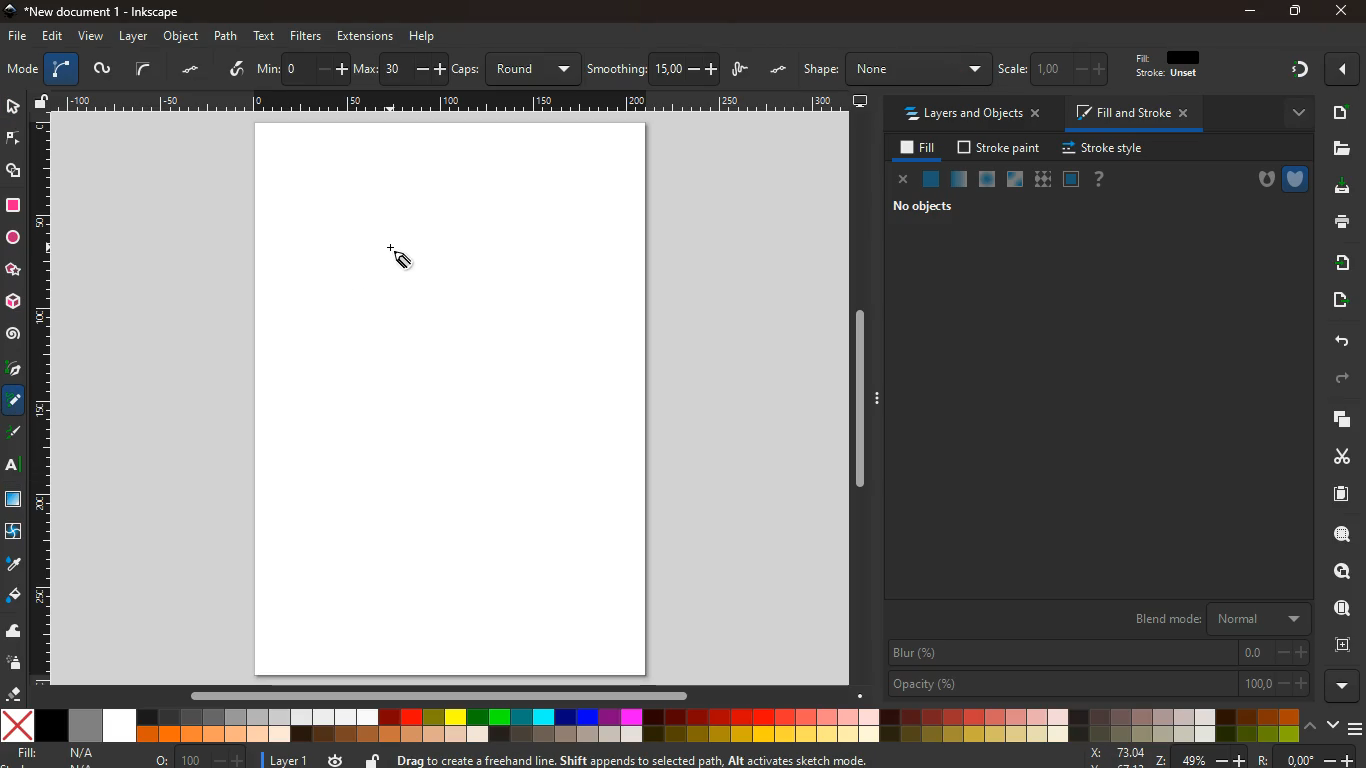 The image size is (1366, 768). I want to click on files, so click(1341, 149).